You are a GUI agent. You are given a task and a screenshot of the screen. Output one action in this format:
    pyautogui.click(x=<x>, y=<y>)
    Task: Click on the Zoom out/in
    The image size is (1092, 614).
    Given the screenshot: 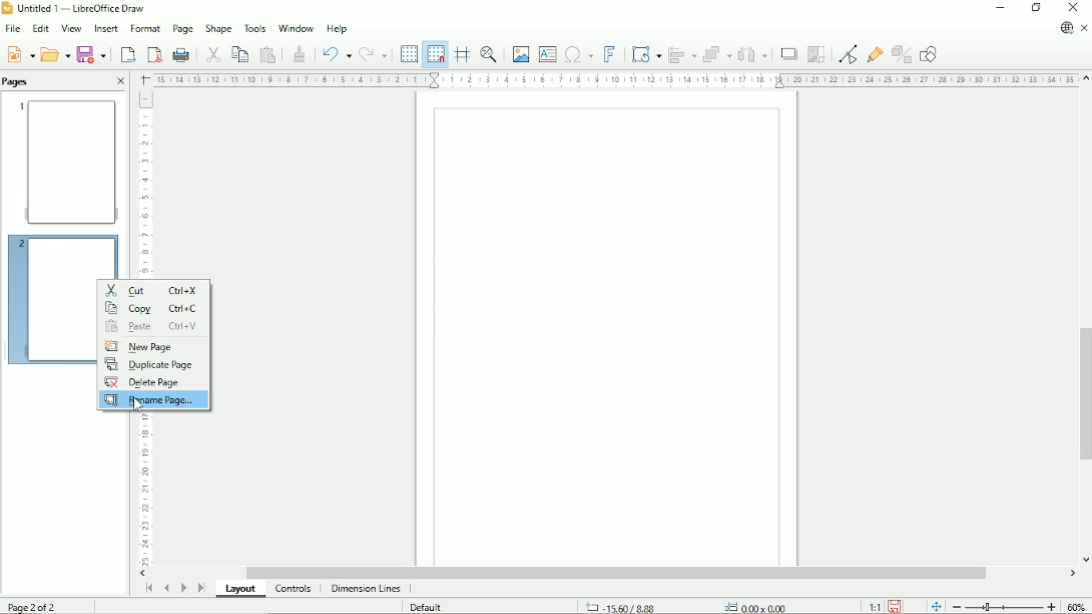 What is the action you would take?
    pyautogui.click(x=1004, y=606)
    